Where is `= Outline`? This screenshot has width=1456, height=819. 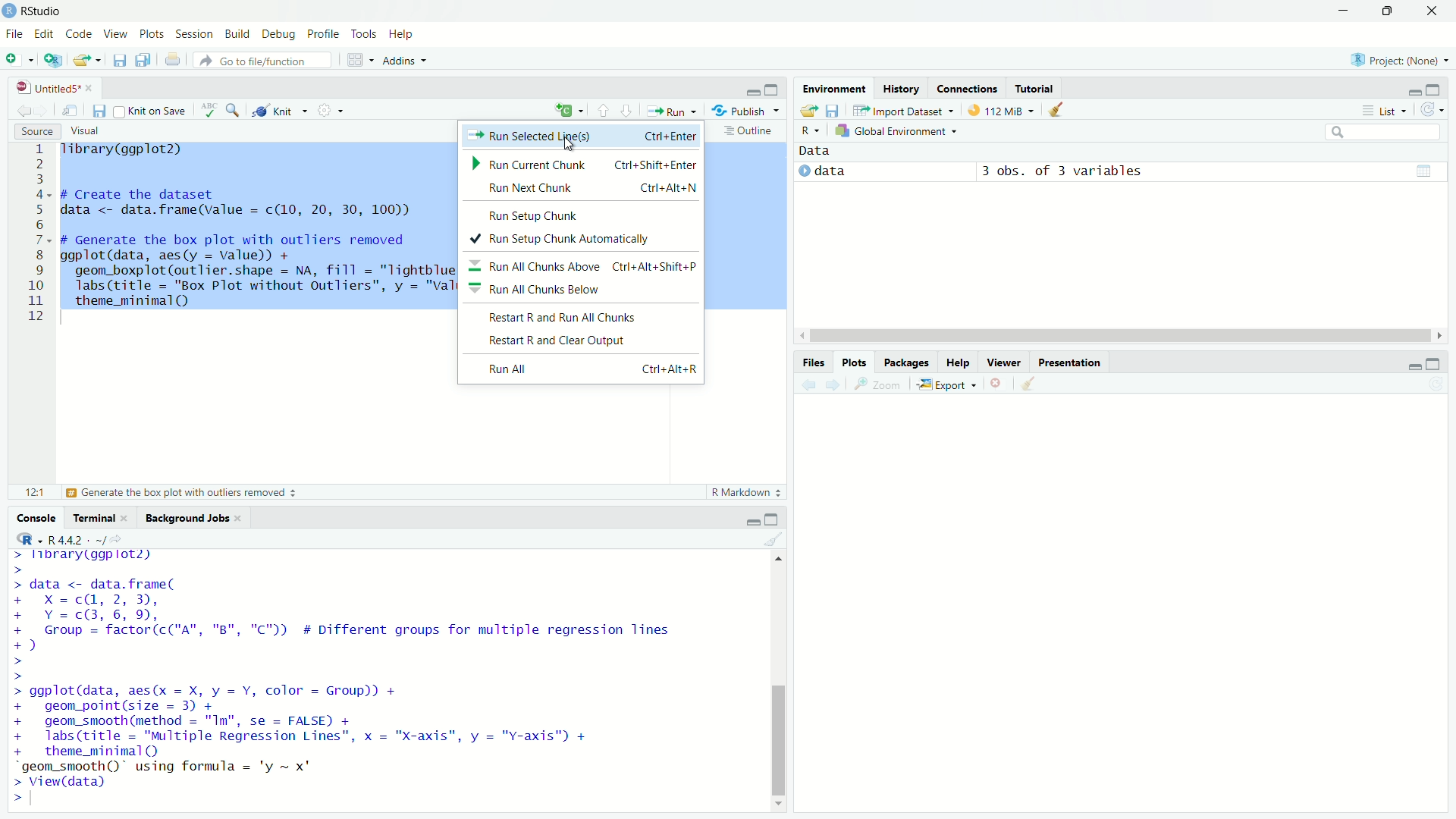
= Outline is located at coordinates (748, 130).